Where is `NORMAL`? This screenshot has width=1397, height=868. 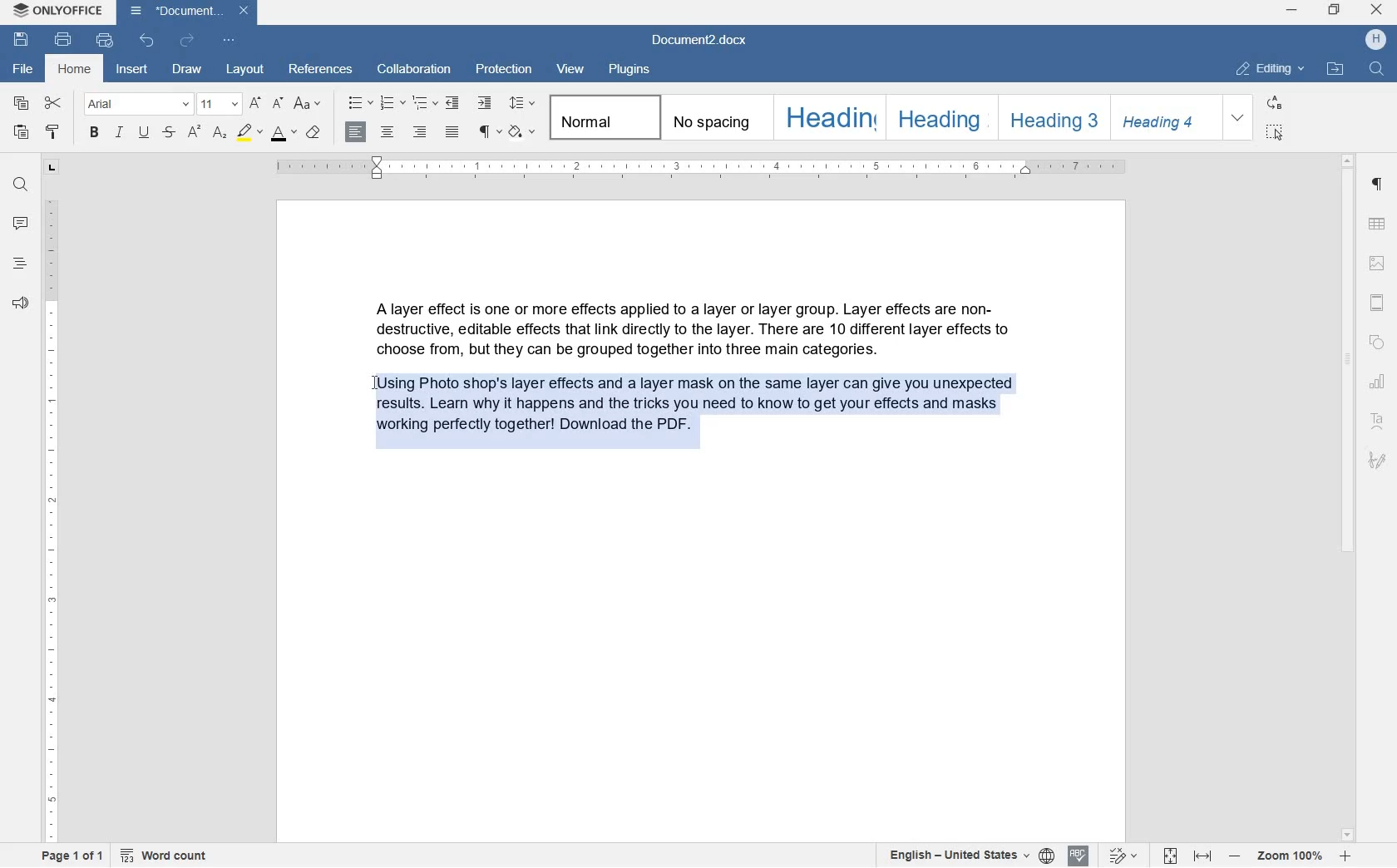 NORMAL is located at coordinates (602, 120).